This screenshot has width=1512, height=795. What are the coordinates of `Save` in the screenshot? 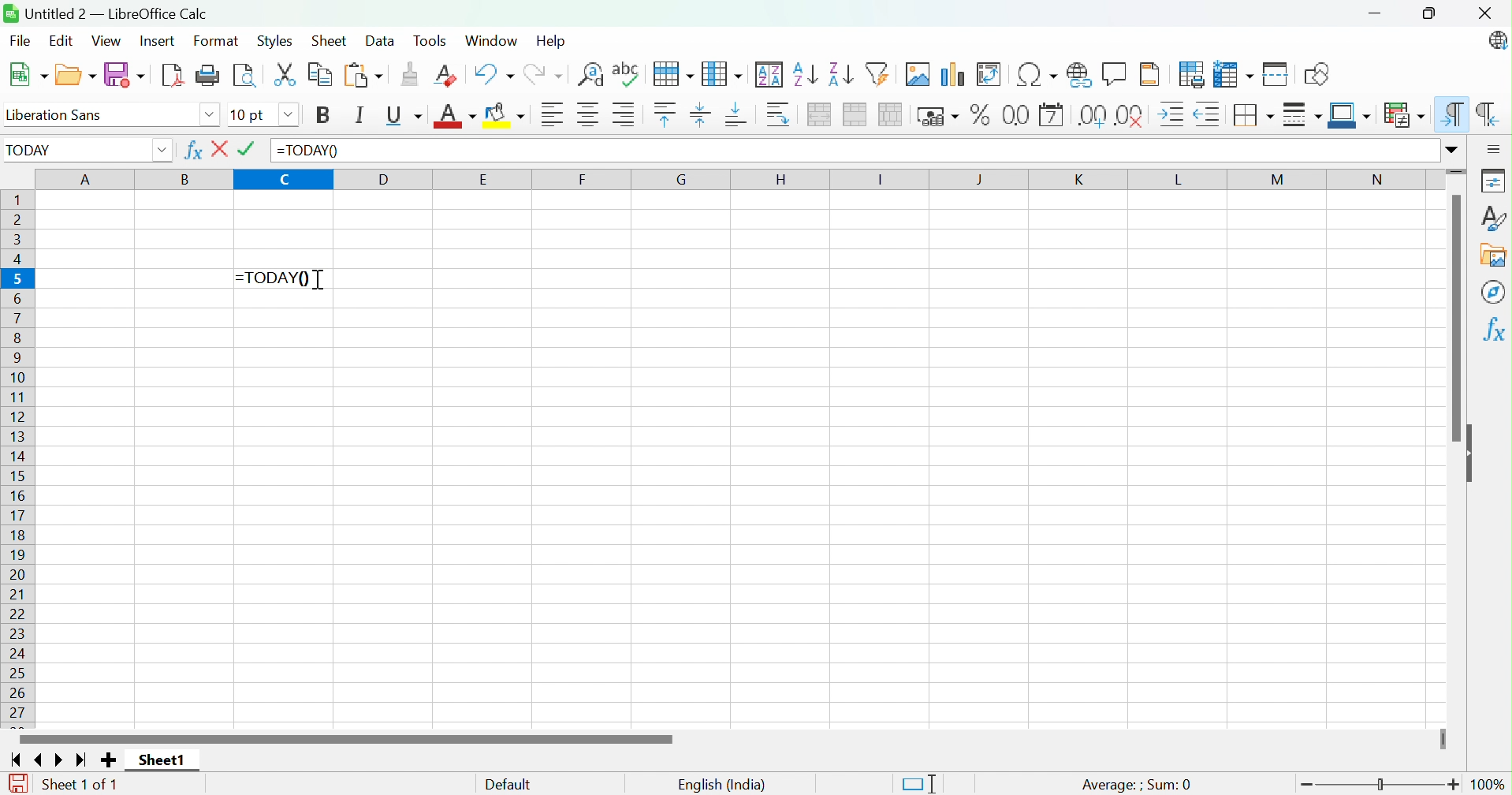 It's located at (126, 73).